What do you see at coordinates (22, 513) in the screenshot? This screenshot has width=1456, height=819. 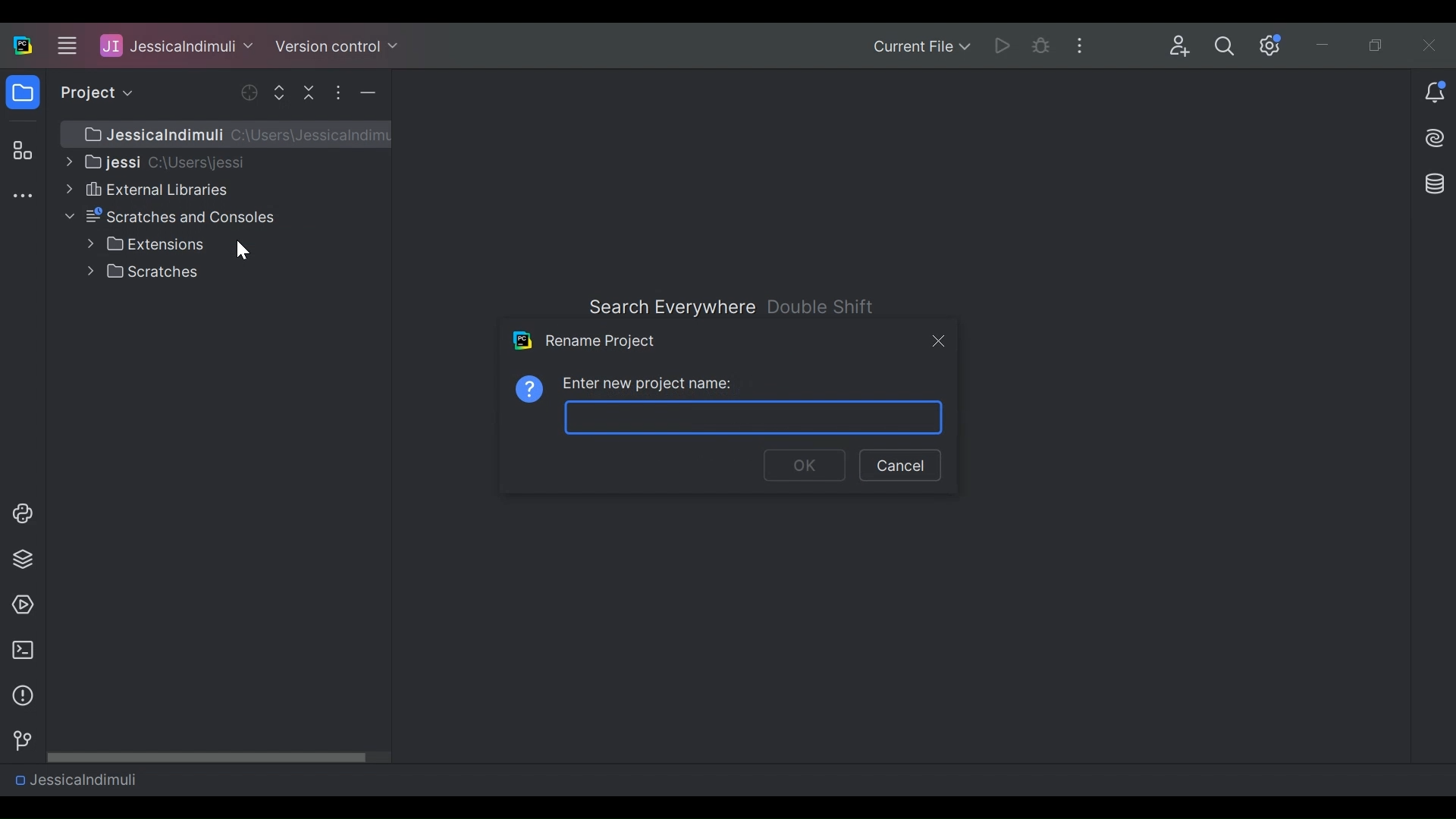 I see `python` at bounding box center [22, 513].